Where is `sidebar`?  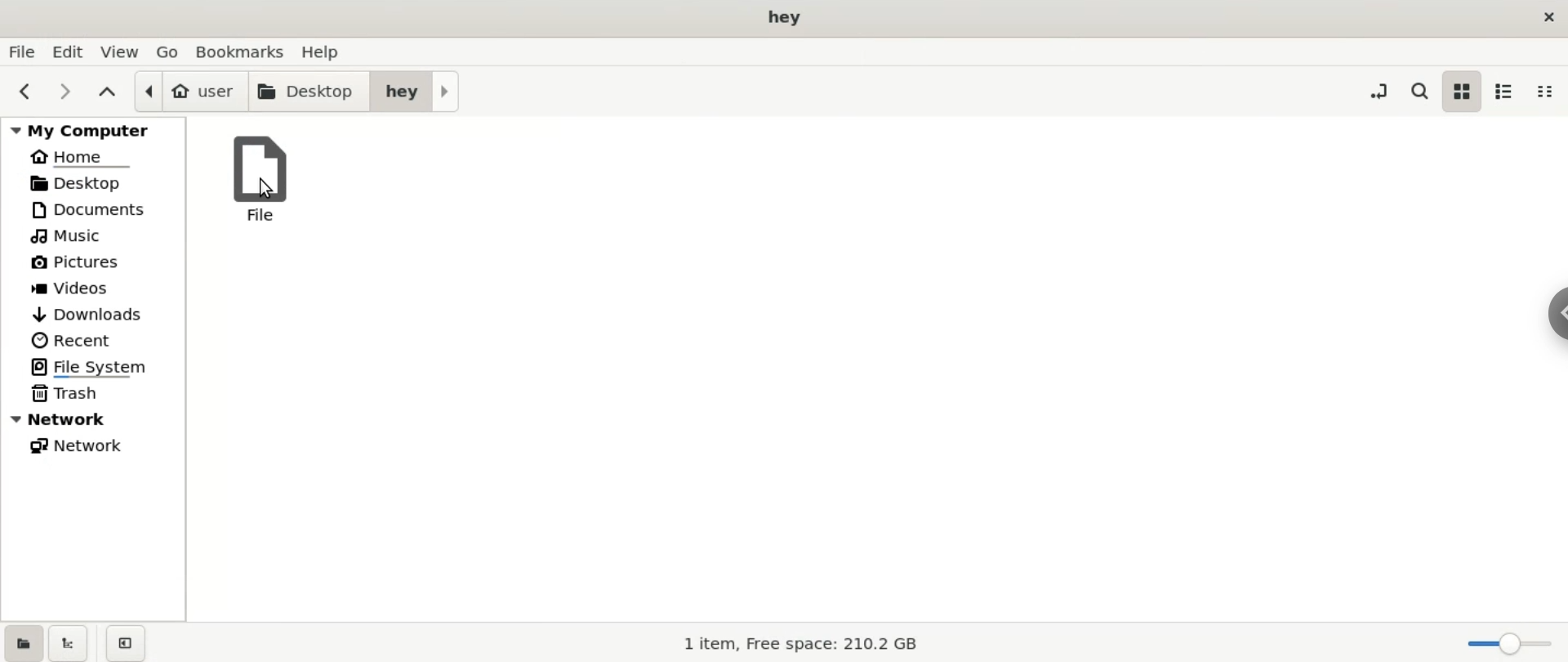 sidebar is located at coordinates (1558, 317).